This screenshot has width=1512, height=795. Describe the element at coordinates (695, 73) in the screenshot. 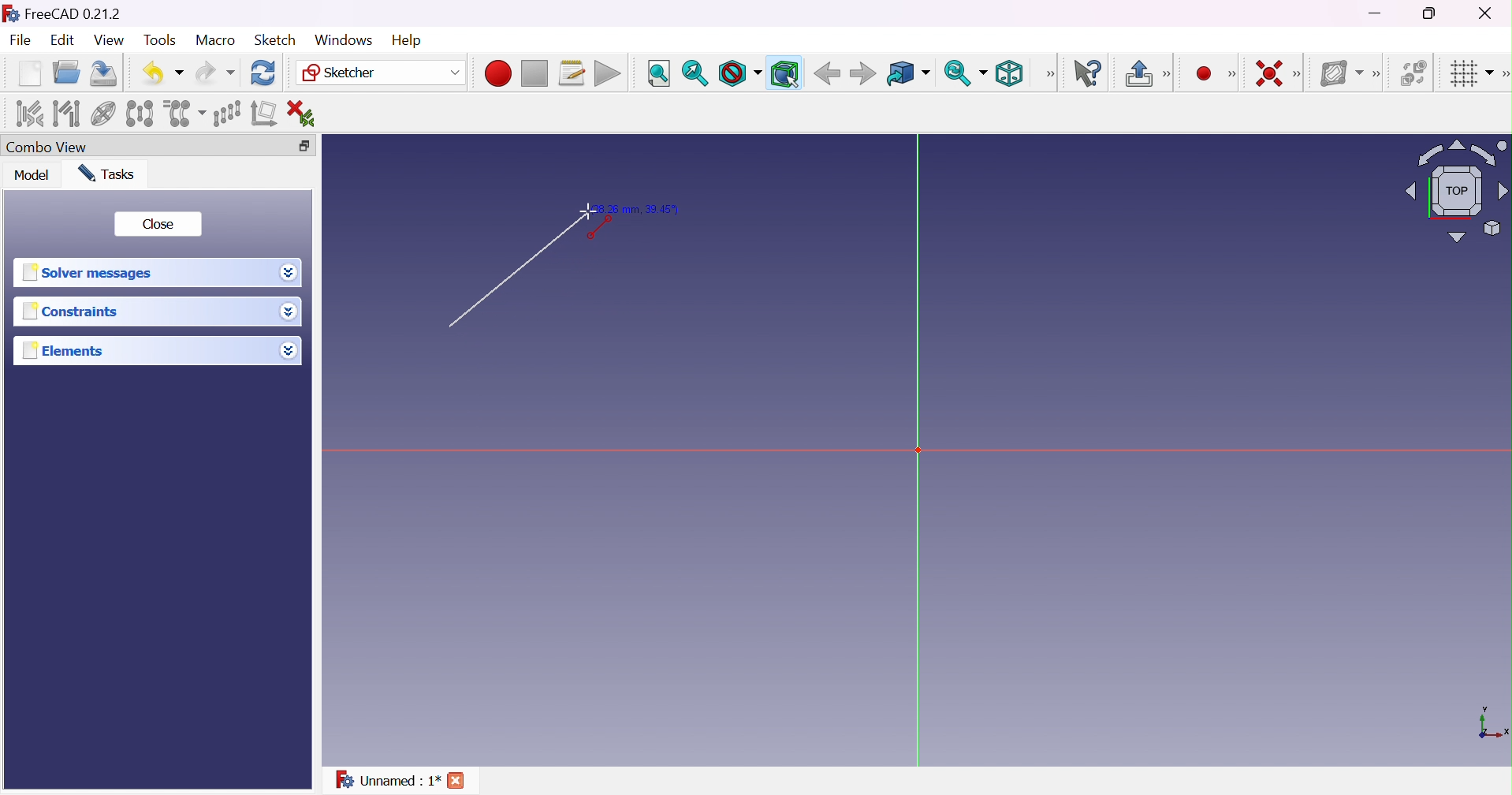

I see `Fit selection` at that location.